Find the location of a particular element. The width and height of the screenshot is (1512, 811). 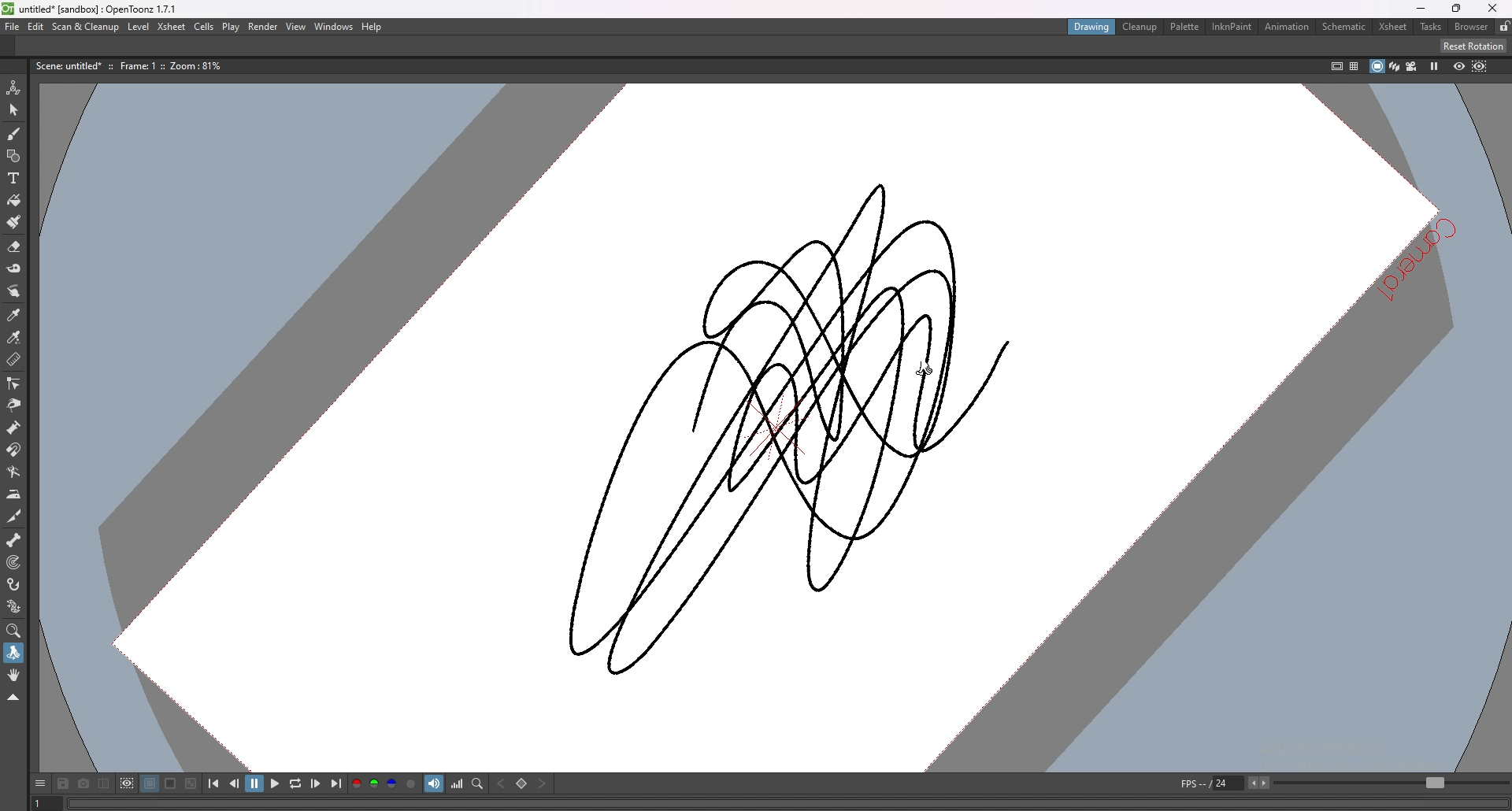

blue channel is located at coordinates (391, 783).